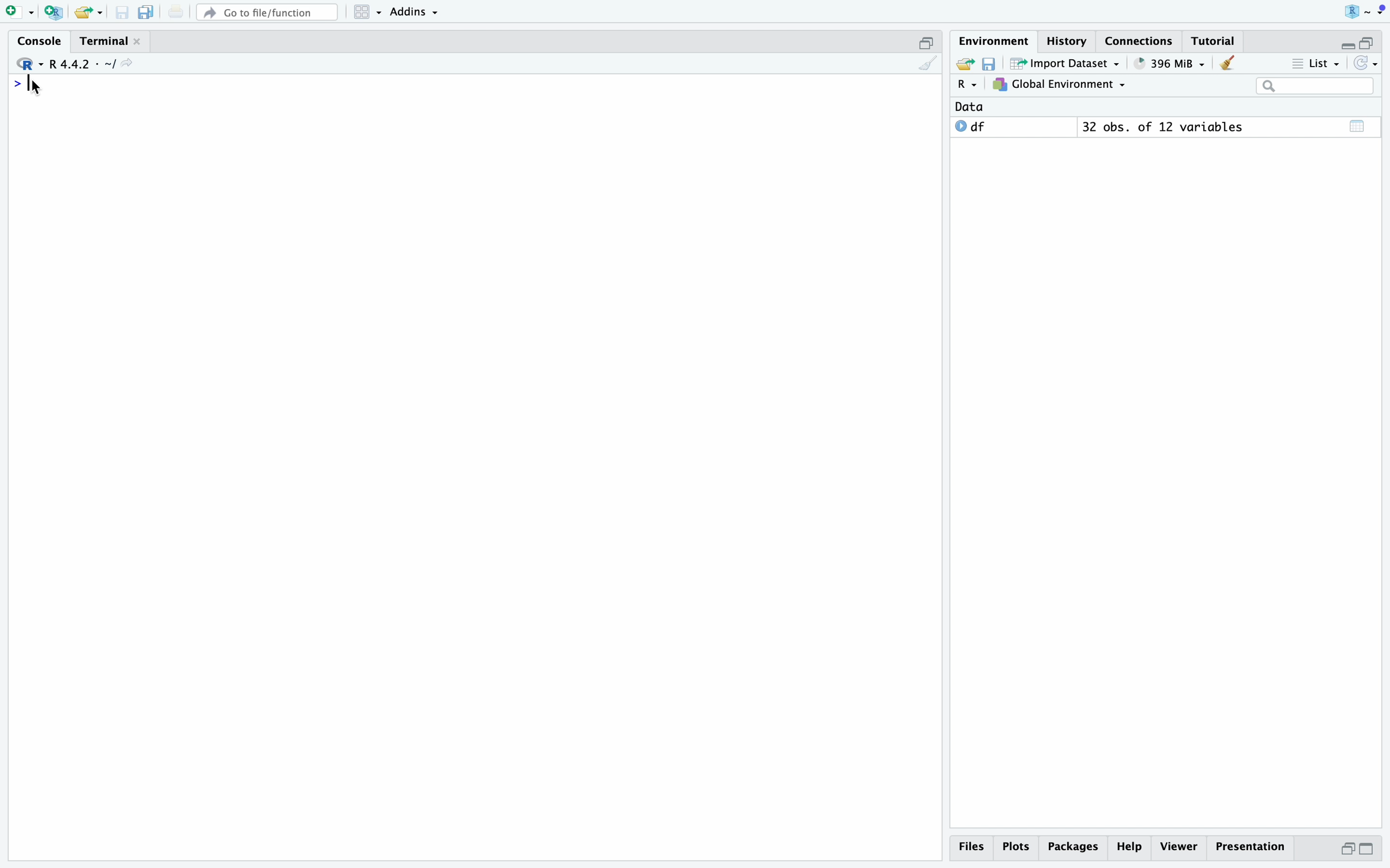  What do you see at coordinates (1065, 63) in the screenshot?
I see `Import Datasets` at bounding box center [1065, 63].